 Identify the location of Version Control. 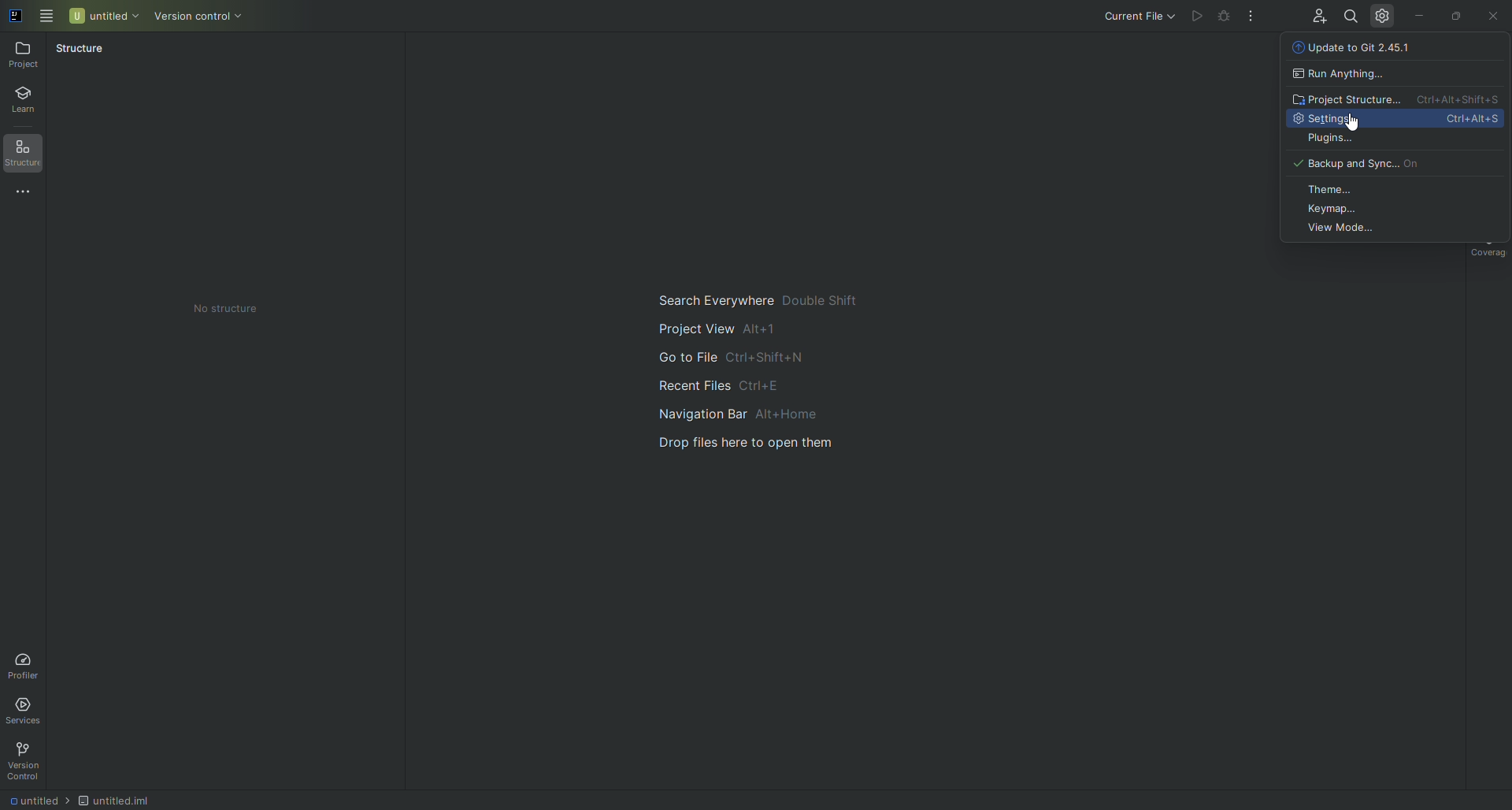
(28, 761).